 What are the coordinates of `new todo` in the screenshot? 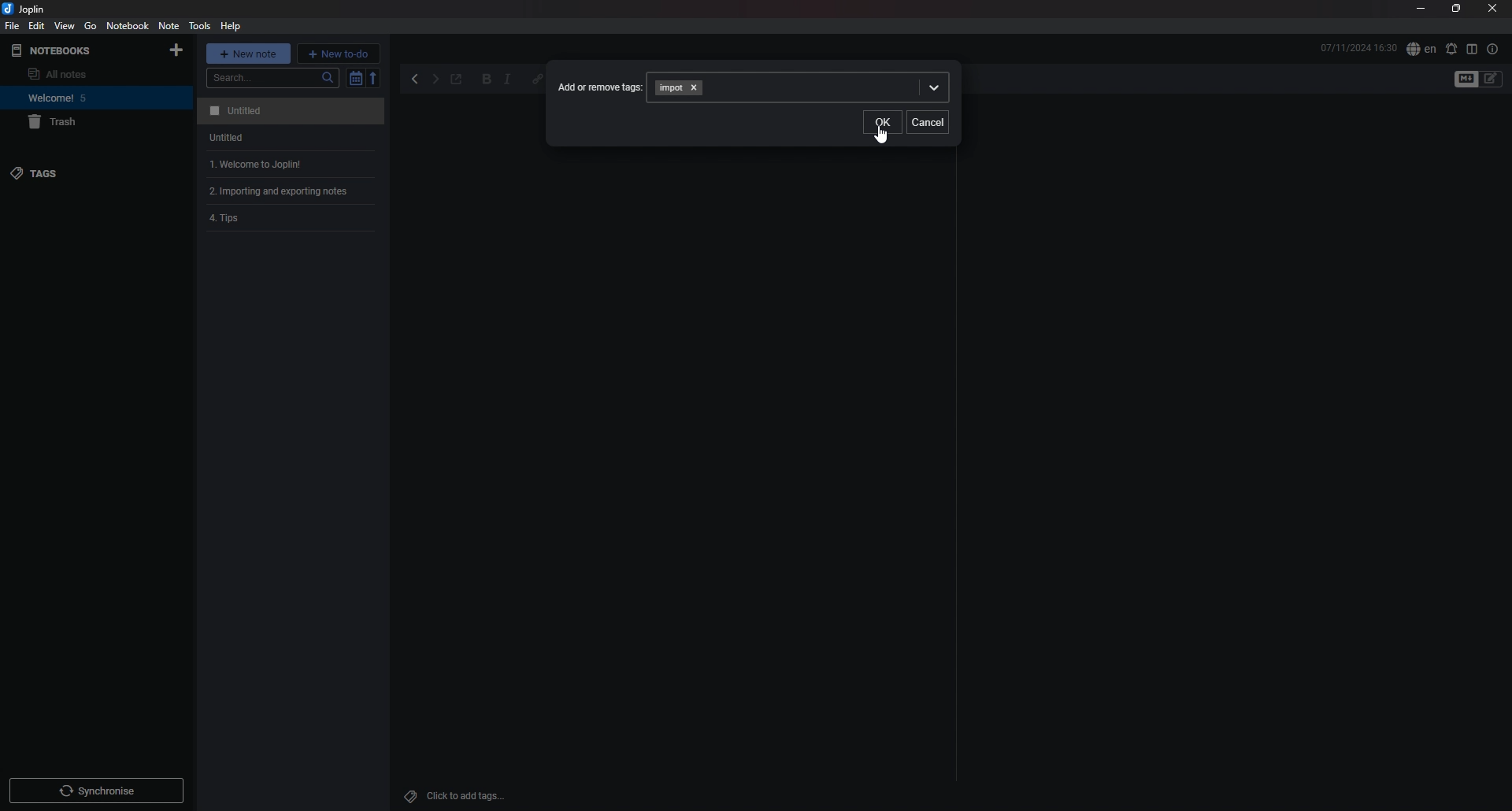 It's located at (339, 53).